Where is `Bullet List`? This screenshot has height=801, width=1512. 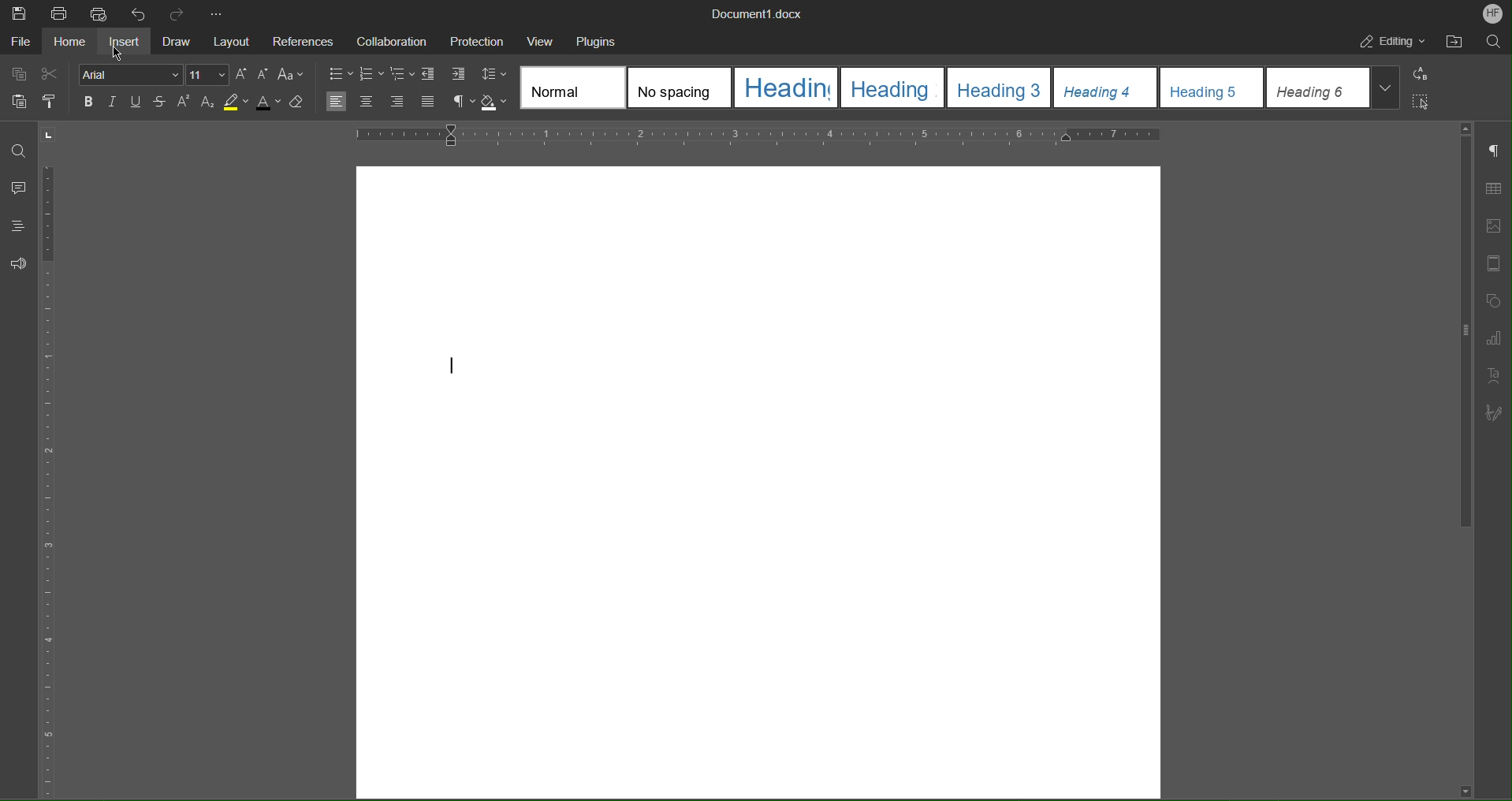
Bullet List is located at coordinates (340, 73).